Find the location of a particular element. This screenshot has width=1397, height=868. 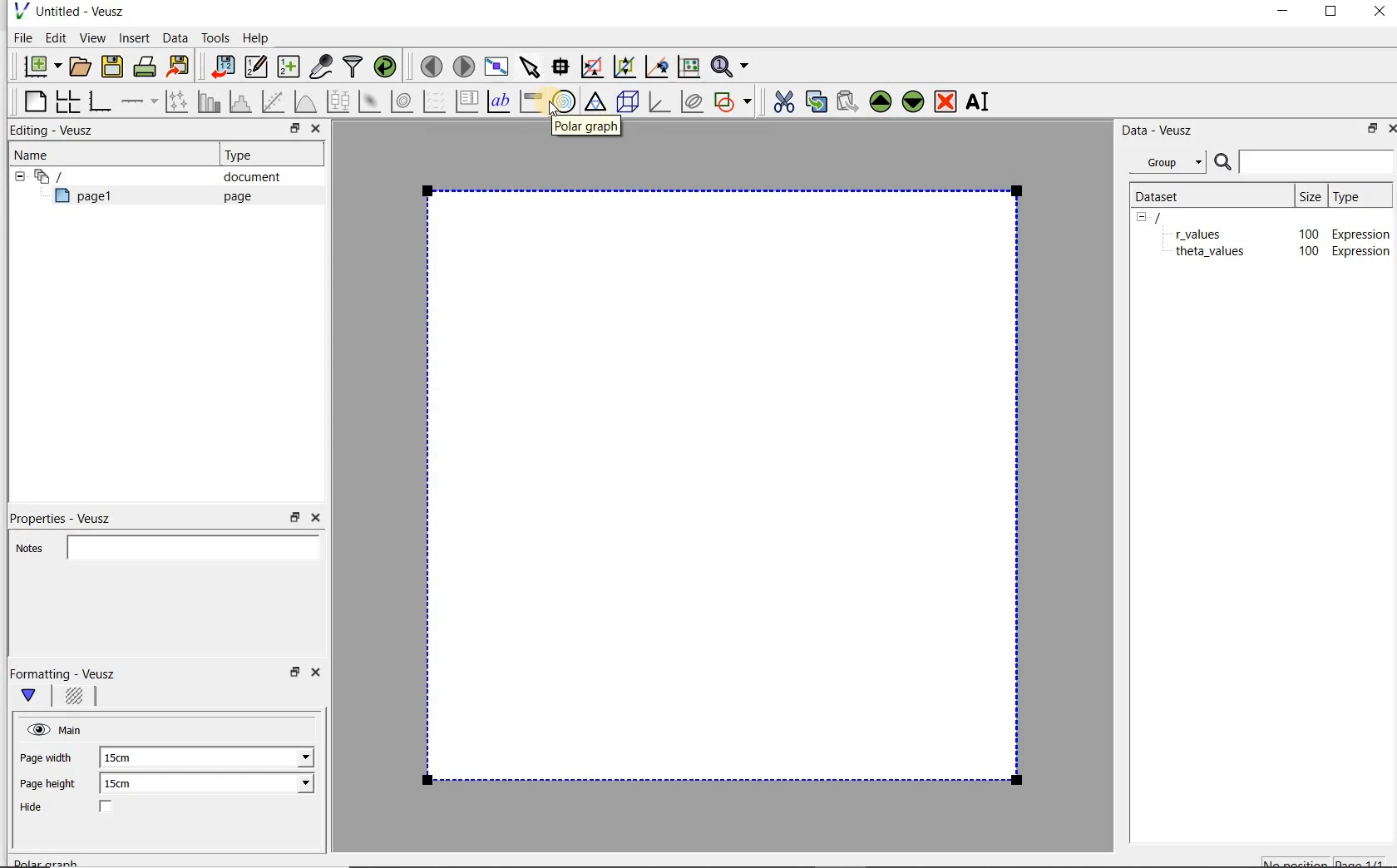

3d scene is located at coordinates (629, 103).